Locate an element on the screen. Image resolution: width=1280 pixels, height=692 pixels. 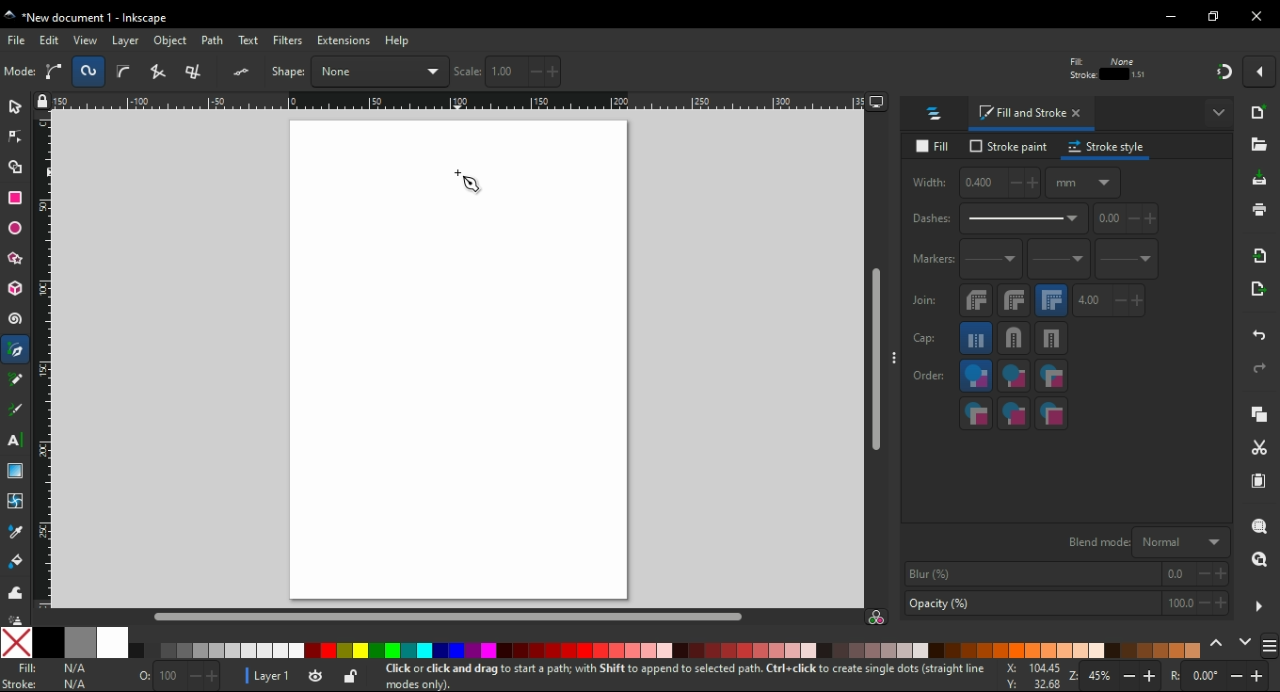
restore is located at coordinates (1216, 16).